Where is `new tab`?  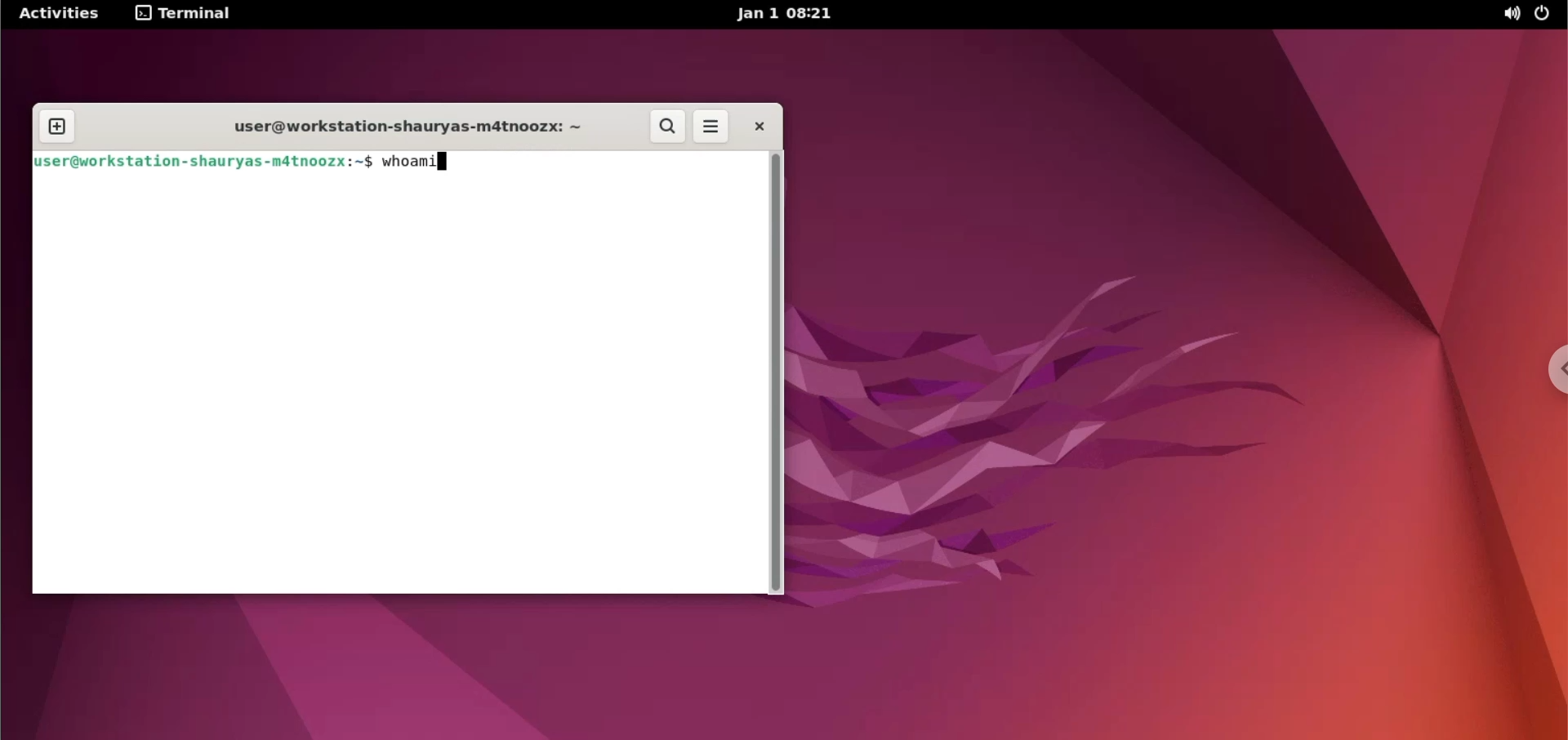 new tab is located at coordinates (57, 125).